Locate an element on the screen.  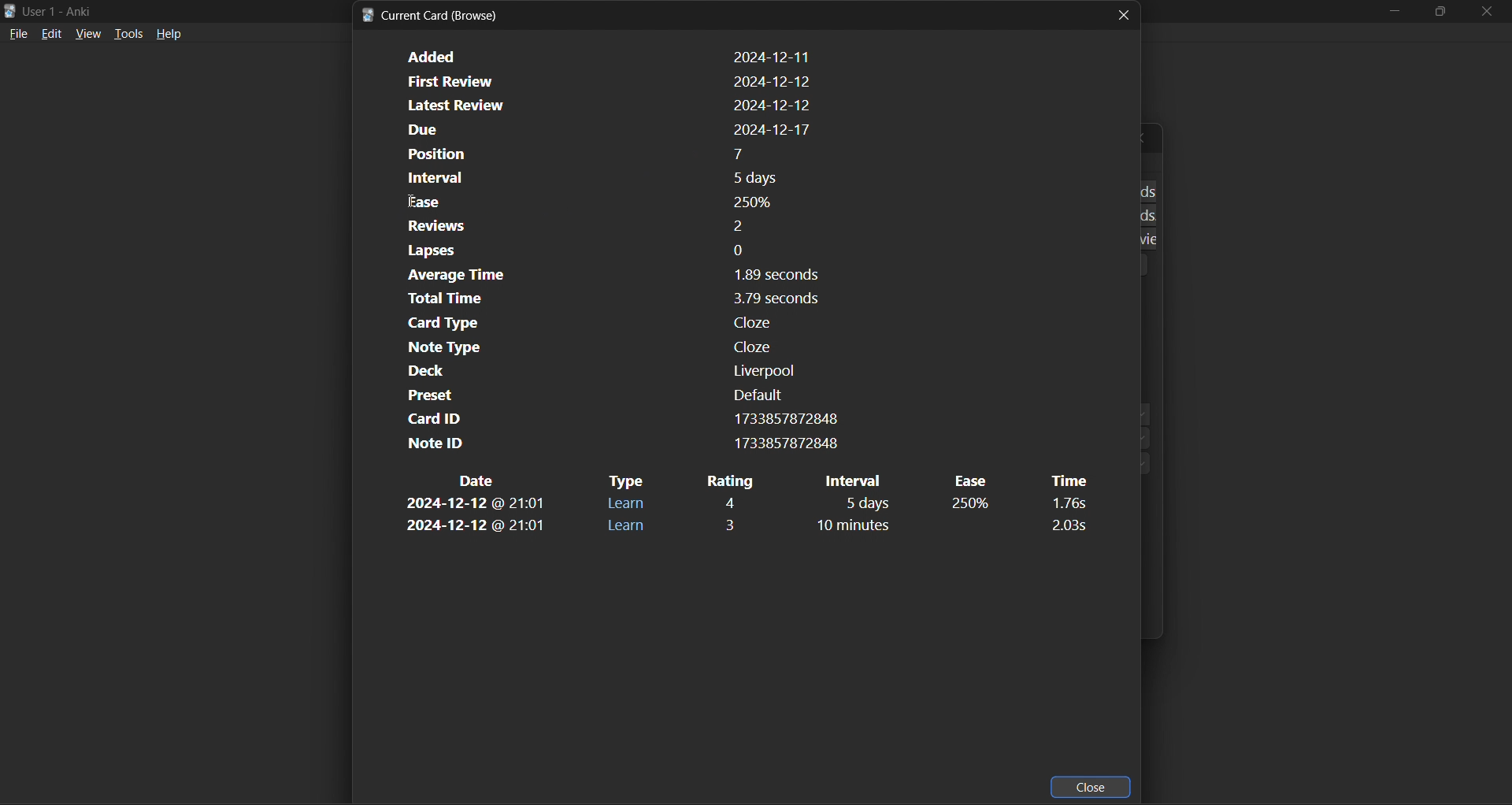
interval is located at coordinates (867, 527).